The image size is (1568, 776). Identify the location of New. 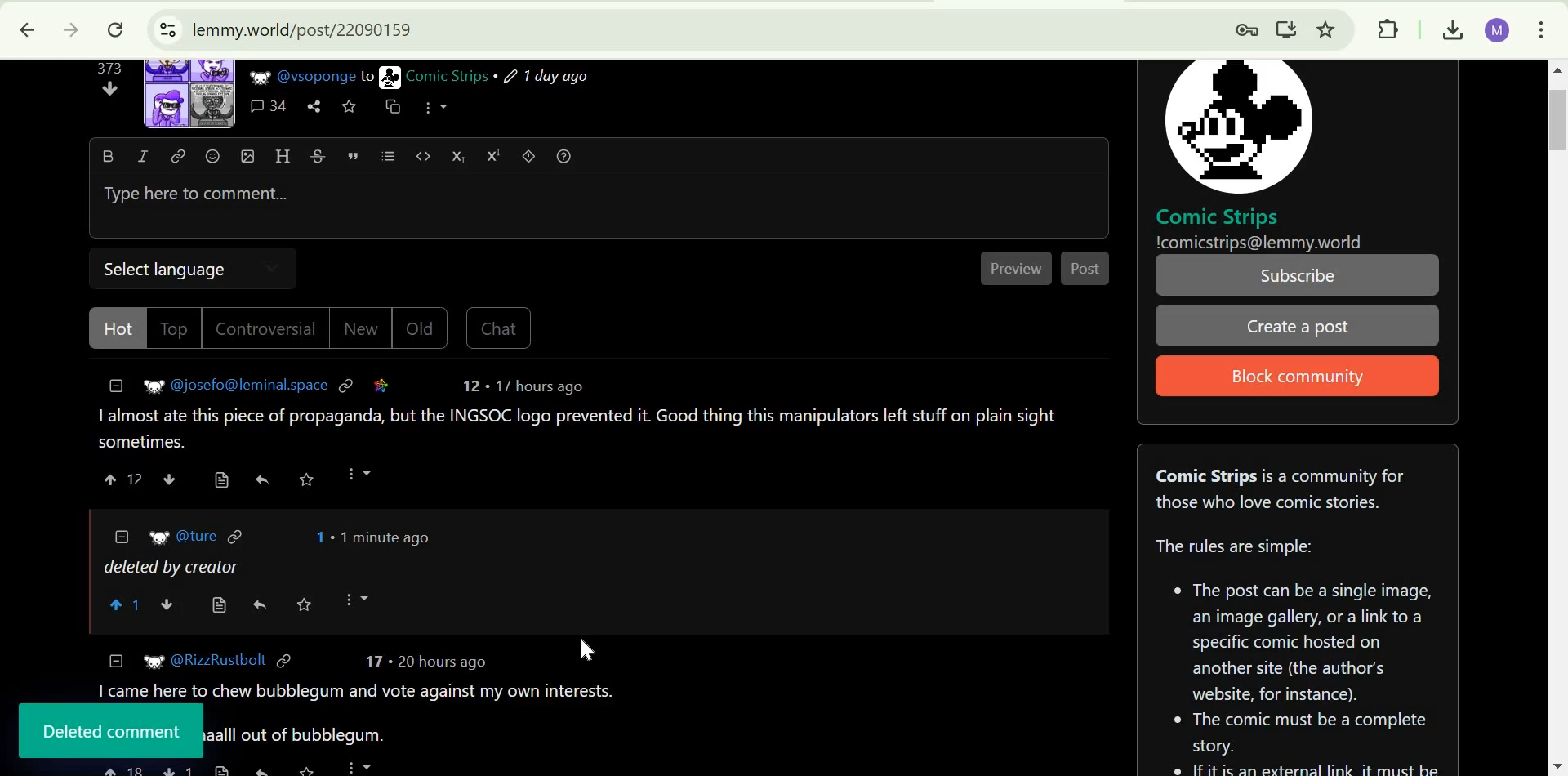
(359, 329).